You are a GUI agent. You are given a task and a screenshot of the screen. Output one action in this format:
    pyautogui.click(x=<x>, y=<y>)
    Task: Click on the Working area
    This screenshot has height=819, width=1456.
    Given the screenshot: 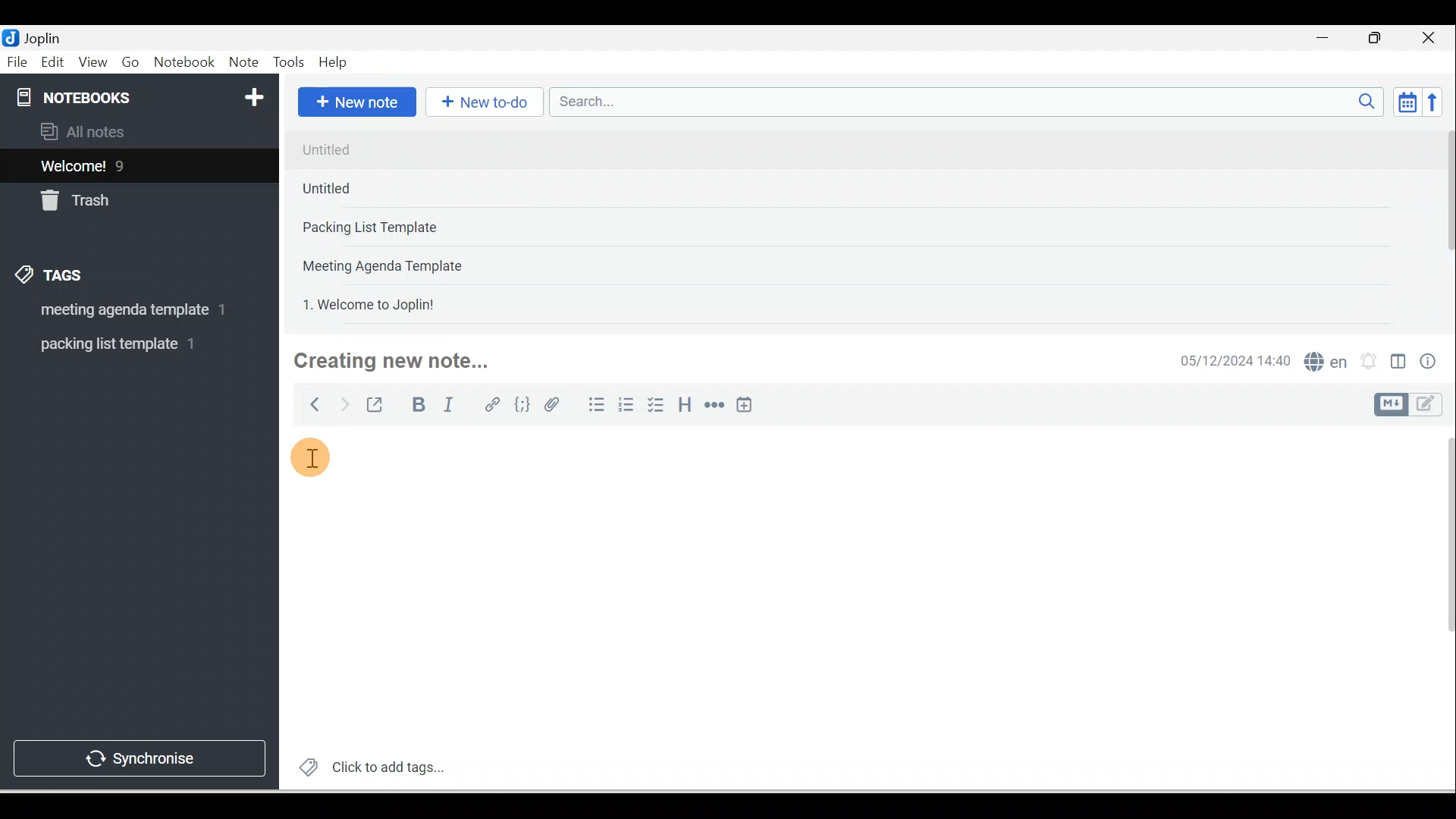 What is the action you would take?
    pyautogui.click(x=843, y=582)
    